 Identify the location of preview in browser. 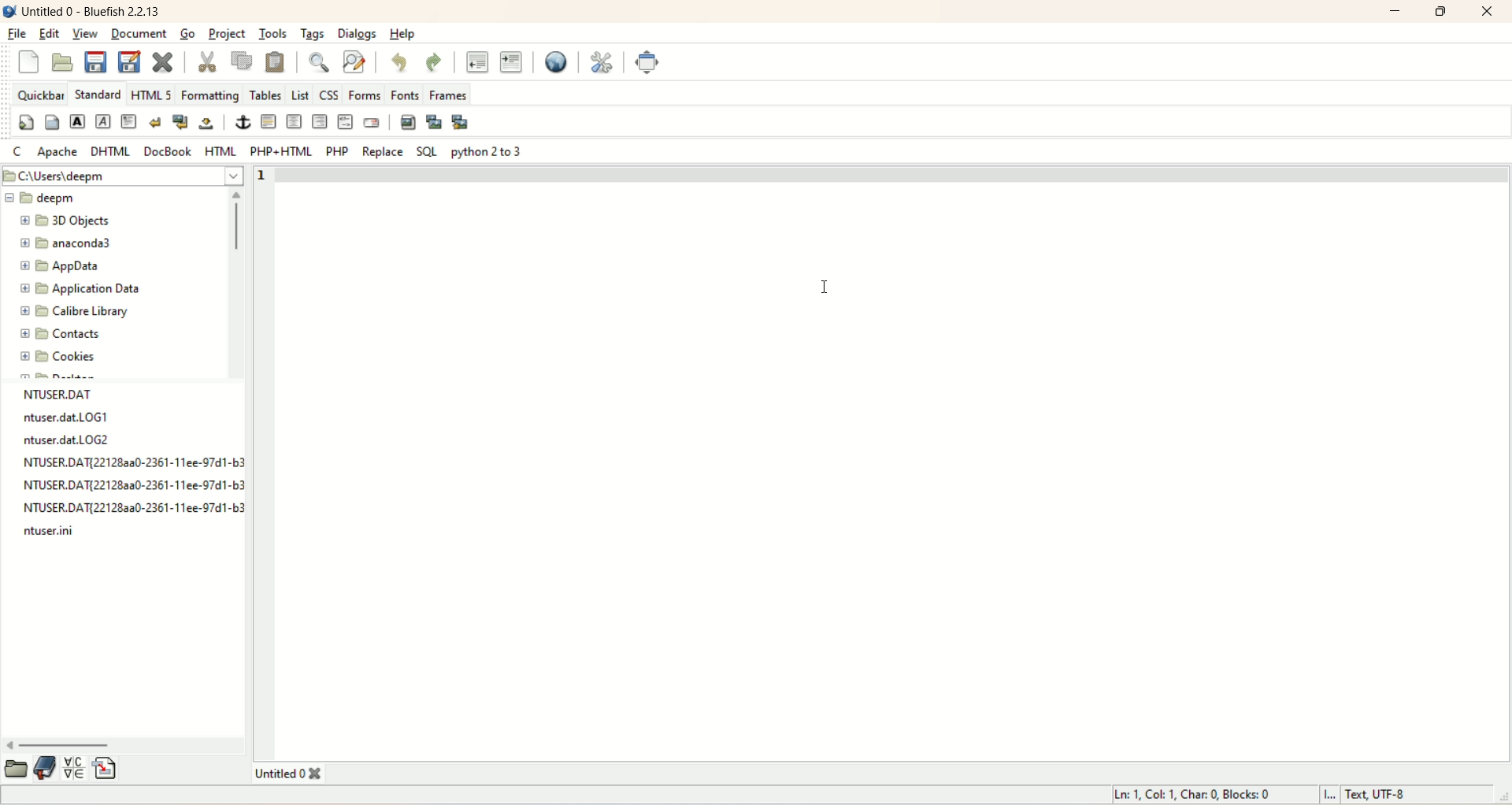
(560, 62).